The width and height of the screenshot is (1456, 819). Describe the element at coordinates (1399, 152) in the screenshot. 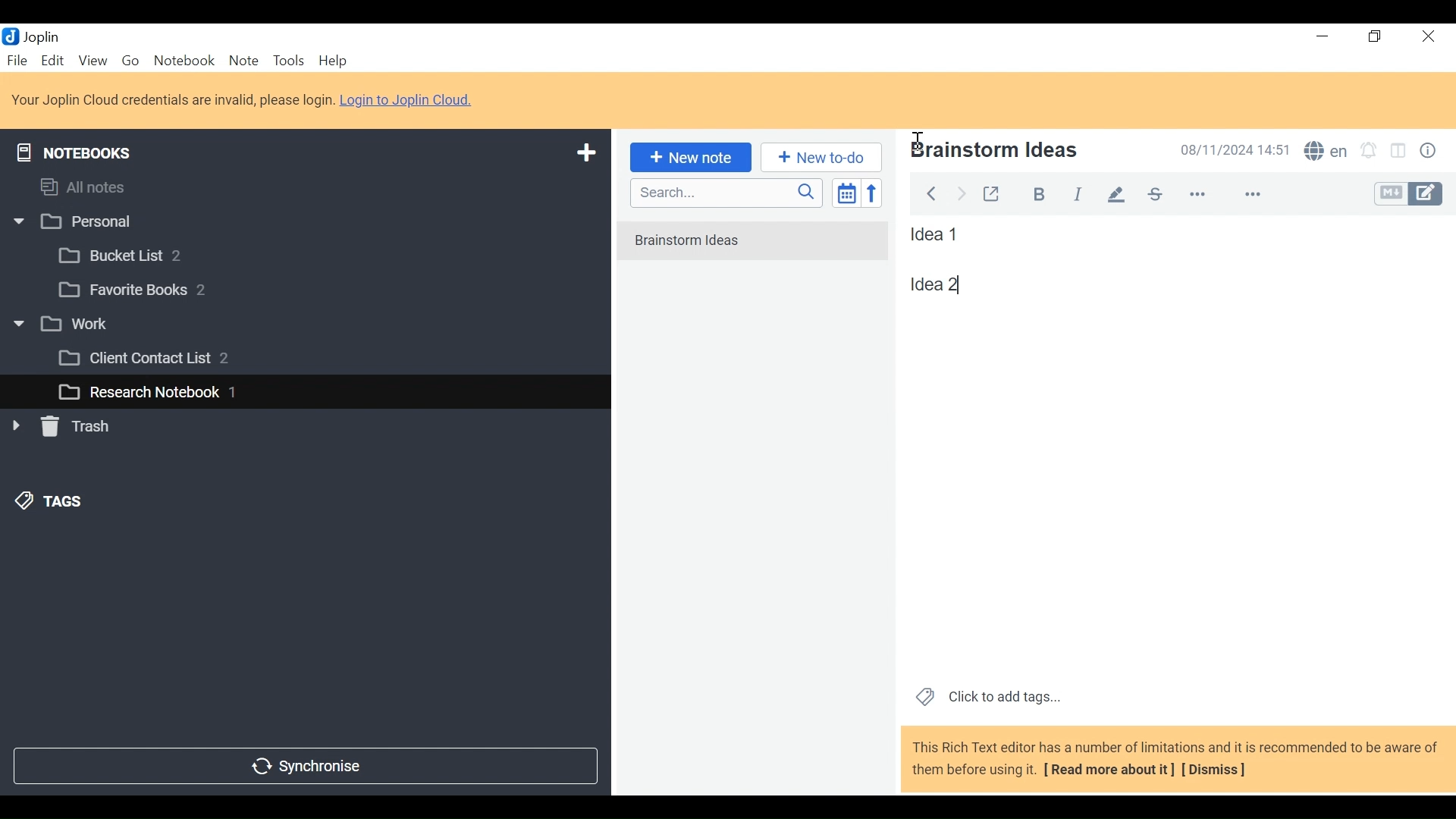

I see `Toggle Editor layout` at that location.